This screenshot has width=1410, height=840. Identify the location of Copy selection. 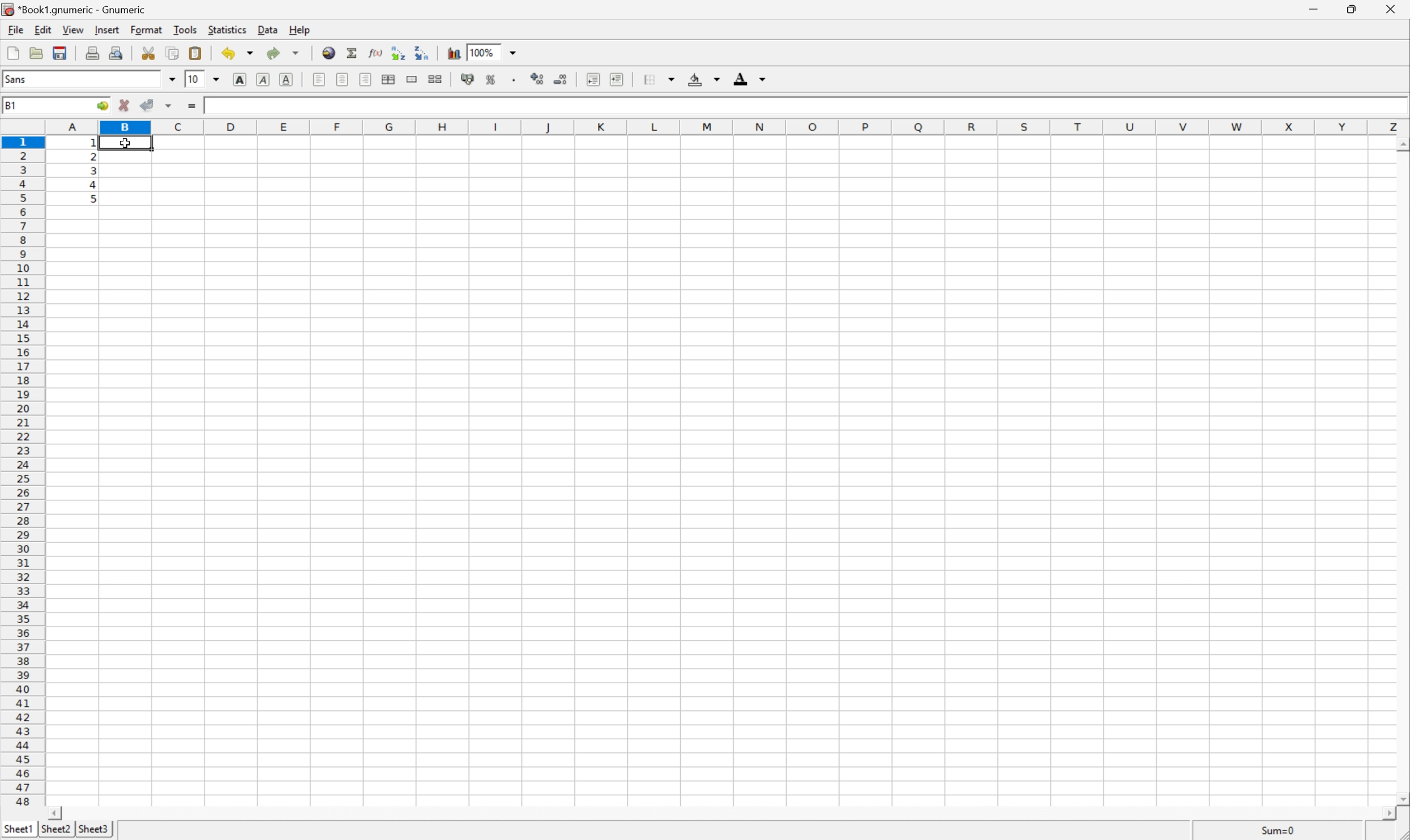
(172, 53).